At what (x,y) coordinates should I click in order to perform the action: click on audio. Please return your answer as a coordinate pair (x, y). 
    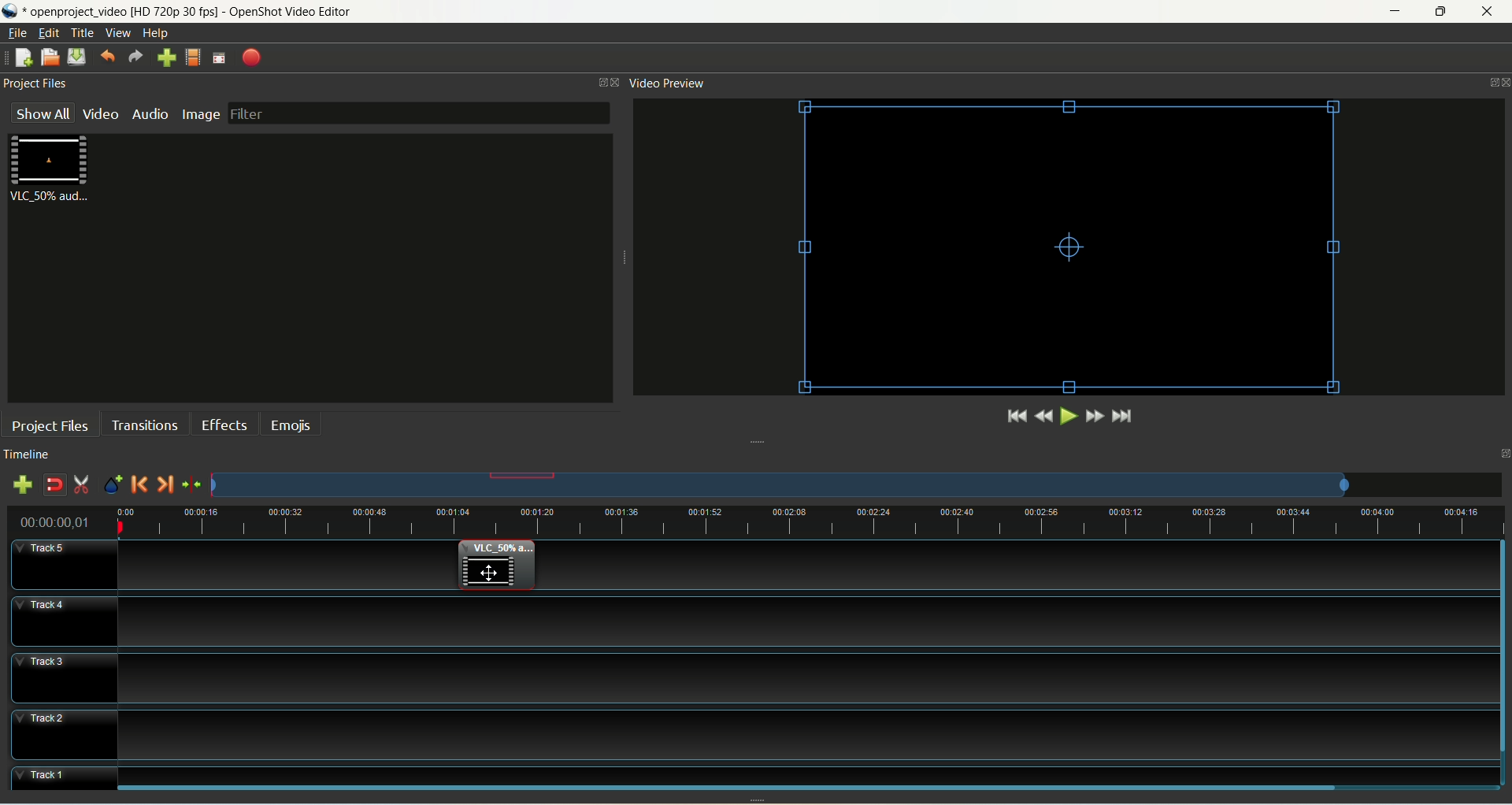
    Looking at the image, I should click on (148, 114).